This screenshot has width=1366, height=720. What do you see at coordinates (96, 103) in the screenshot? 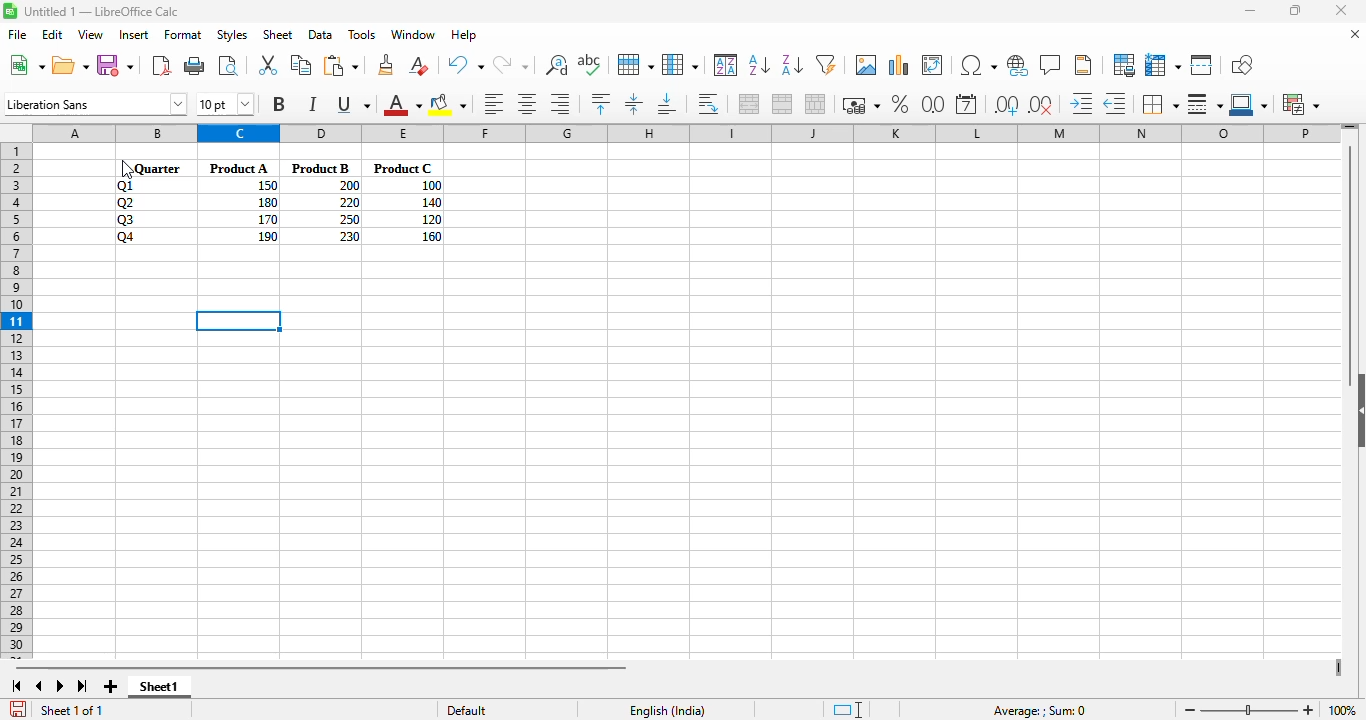
I see `font name` at bounding box center [96, 103].